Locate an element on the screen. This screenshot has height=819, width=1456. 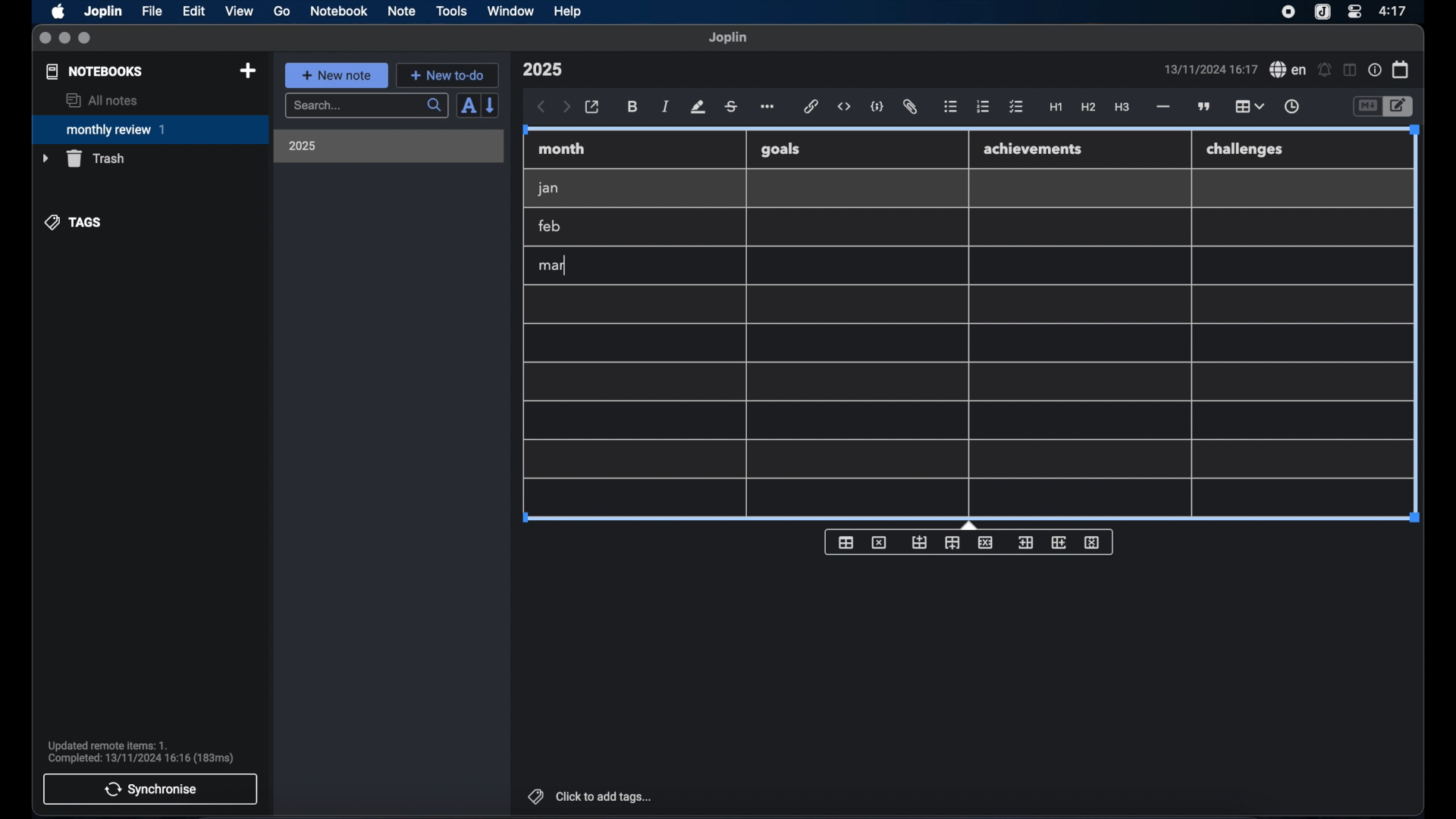
delete table is located at coordinates (879, 543).